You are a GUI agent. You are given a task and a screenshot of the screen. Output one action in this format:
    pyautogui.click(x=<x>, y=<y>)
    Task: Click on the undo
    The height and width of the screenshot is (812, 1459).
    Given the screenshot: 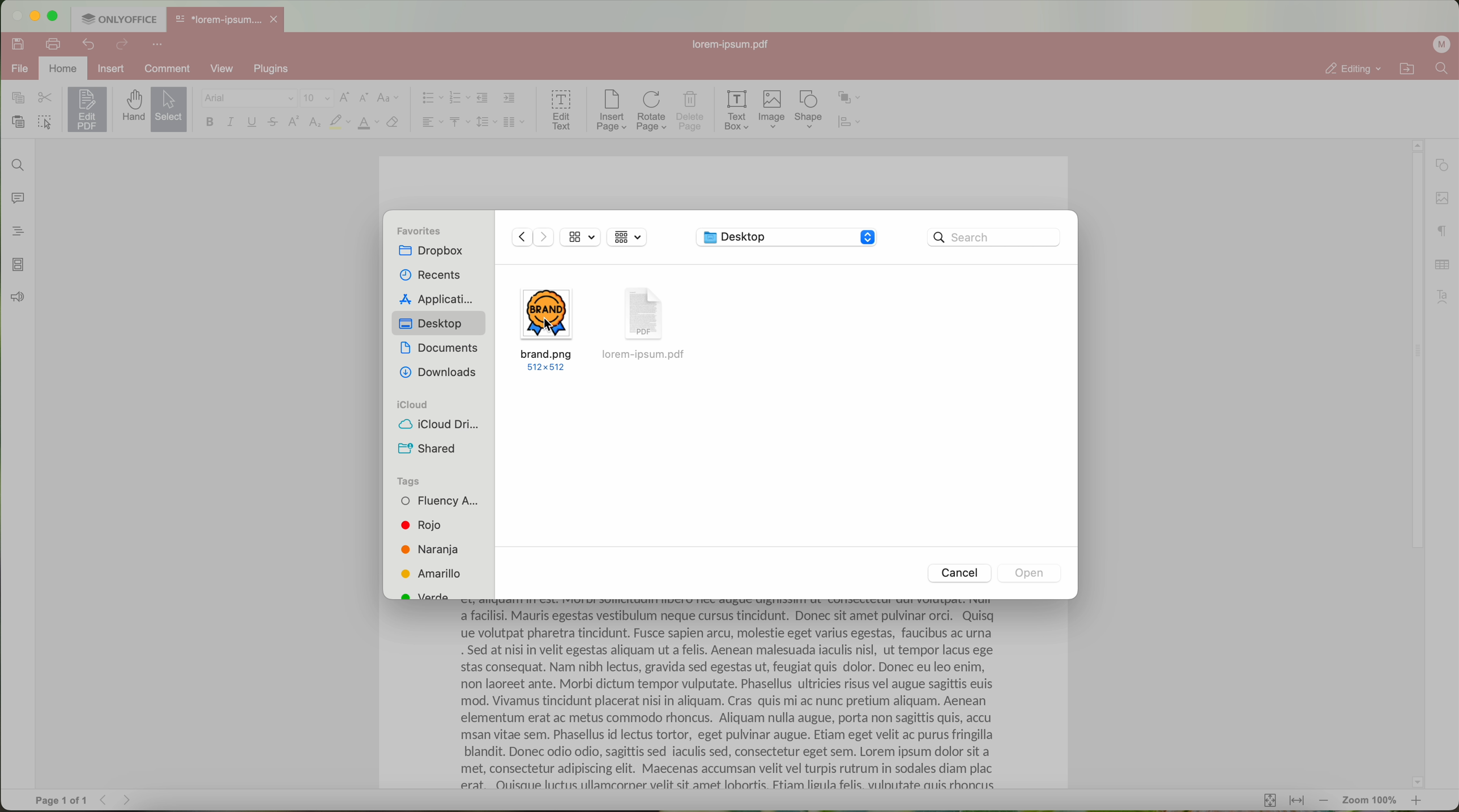 What is the action you would take?
    pyautogui.click(x=90, y=44)
    